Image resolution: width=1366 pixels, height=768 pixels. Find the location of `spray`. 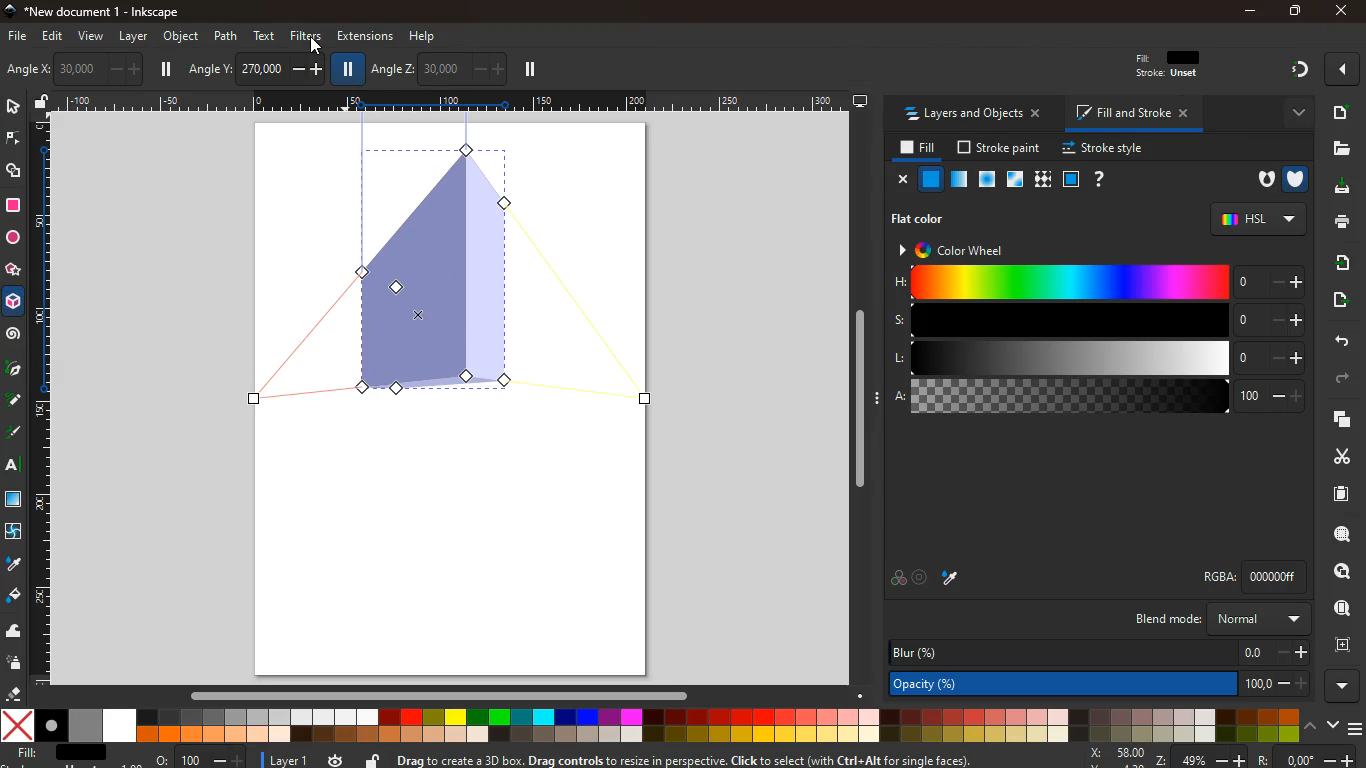

spray is located at coordinates (15, 664).